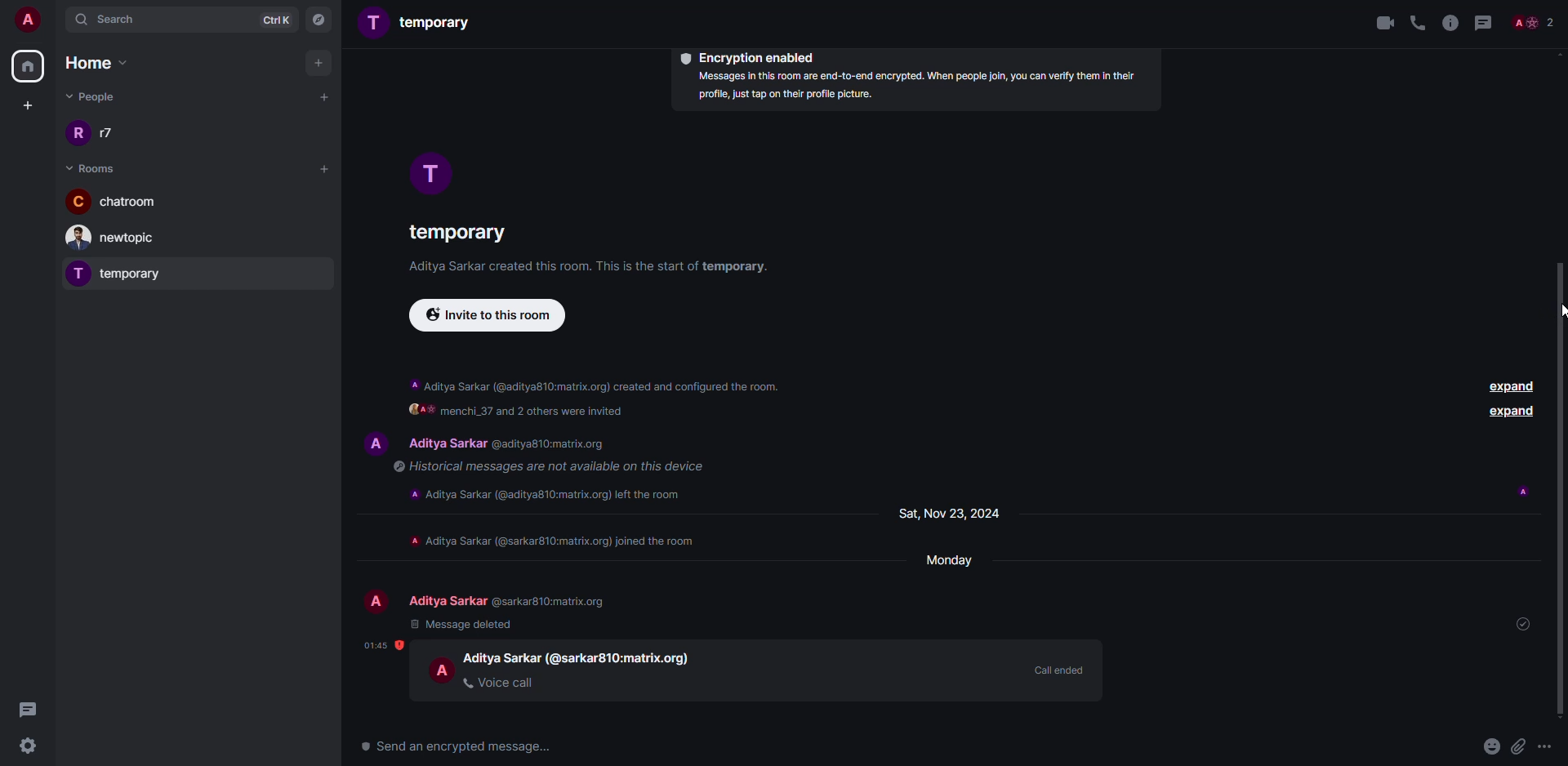 The width and height of the screenshot is (1568, 766). What do you see at coordinates (952, 563) in the screenshot?
I see `day` at bounding box center [952, 563].